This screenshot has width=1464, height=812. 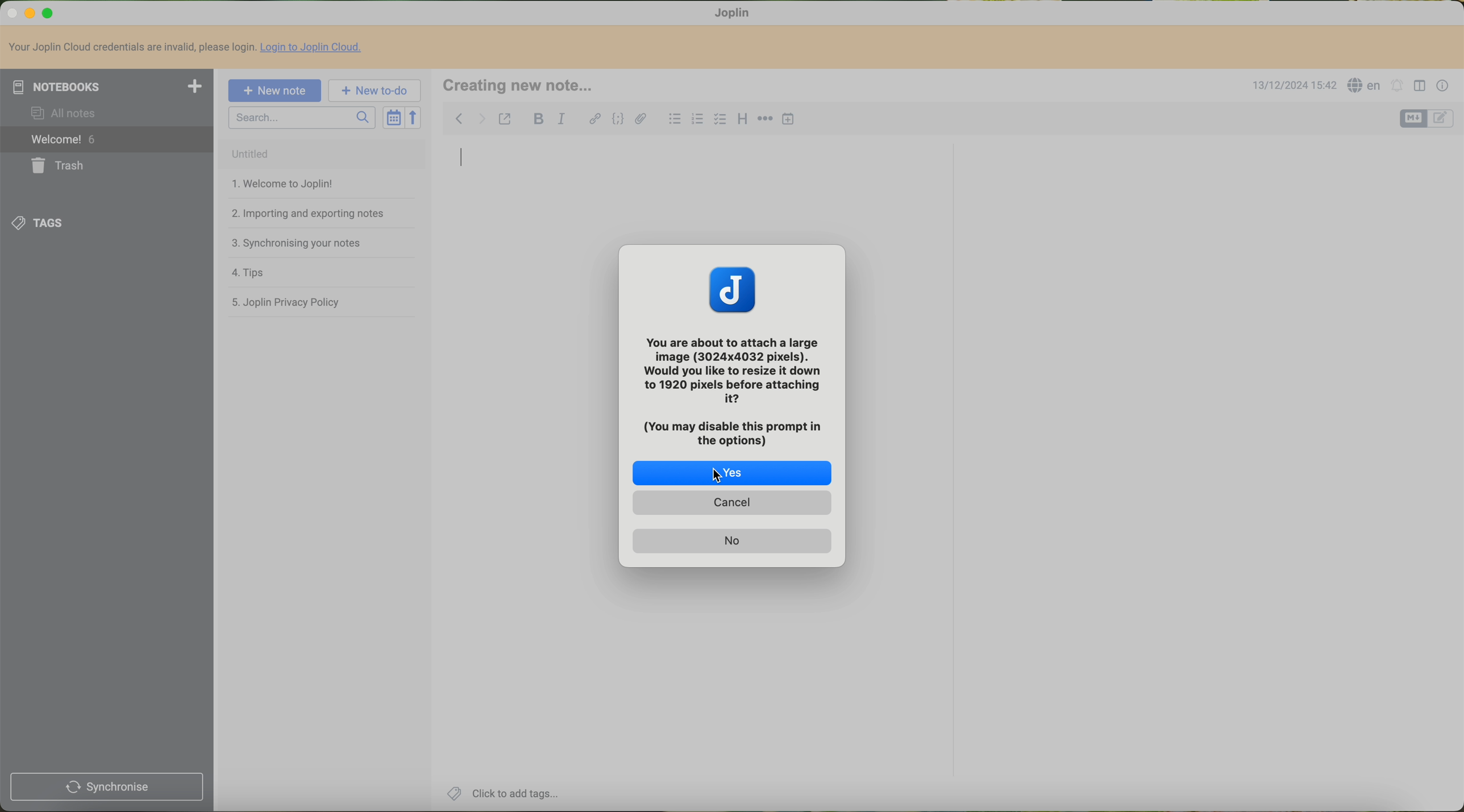 What do you see at coordinates (505, 120) in the screenshot?
I see `toggle external editing` at bounding box center [505, 120].